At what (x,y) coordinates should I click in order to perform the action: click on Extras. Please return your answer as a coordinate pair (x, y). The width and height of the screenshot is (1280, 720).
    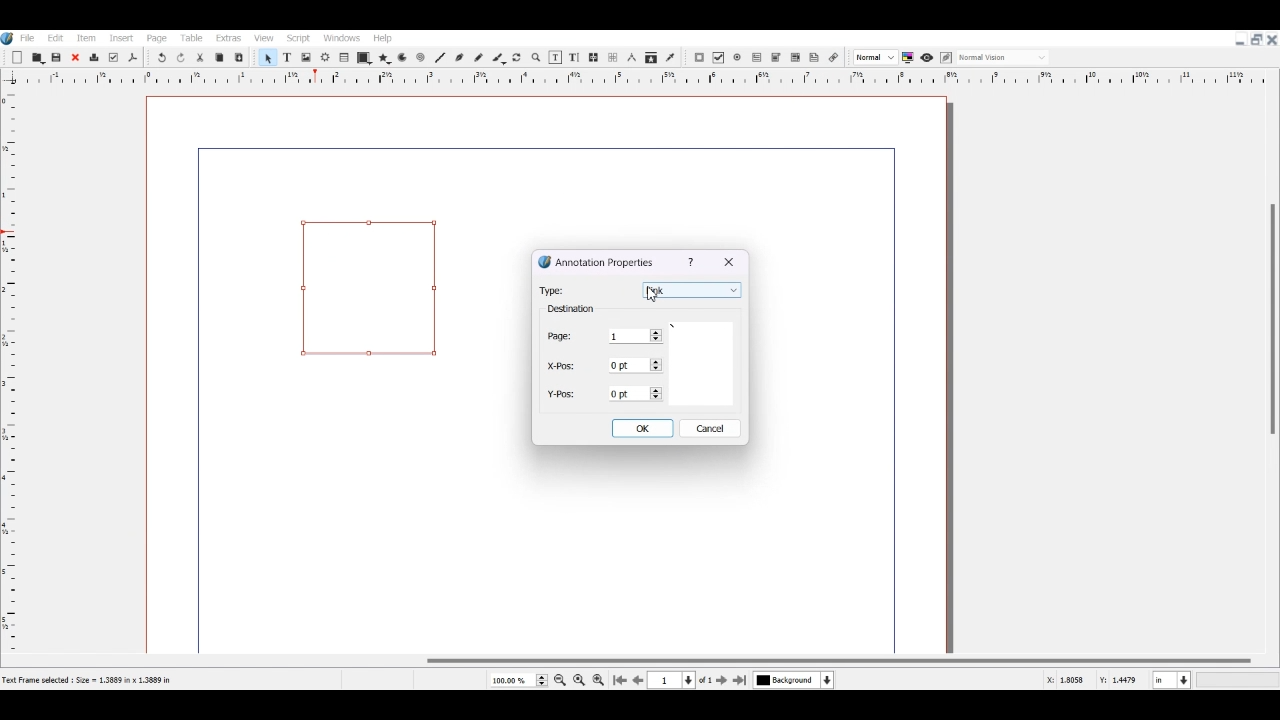
    Looking at the image, I should click on (228, 38).